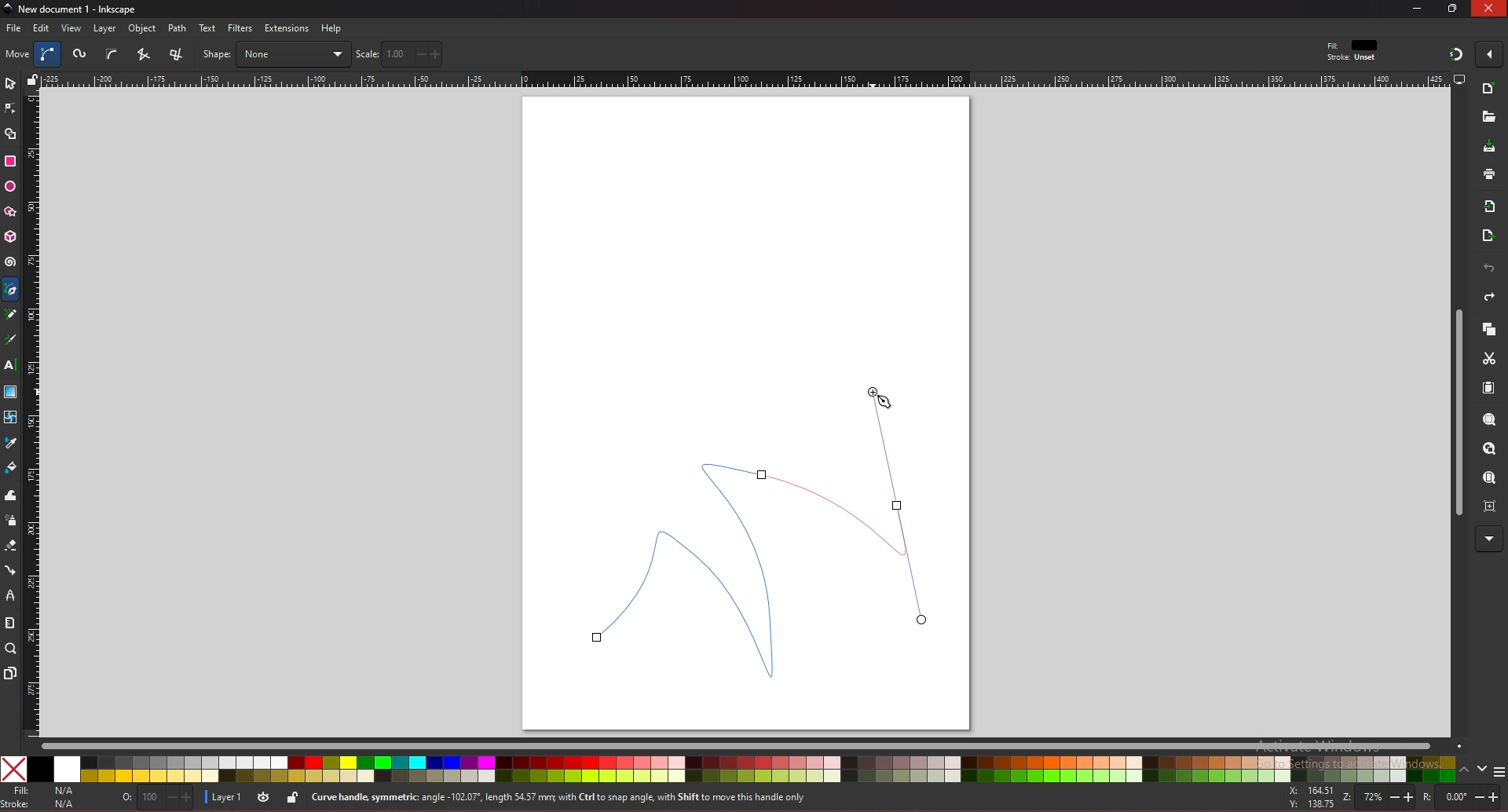  What do you see at coordinates (42, 791) in the screenshot?
I see `fill` at bounding box center [42, 791].